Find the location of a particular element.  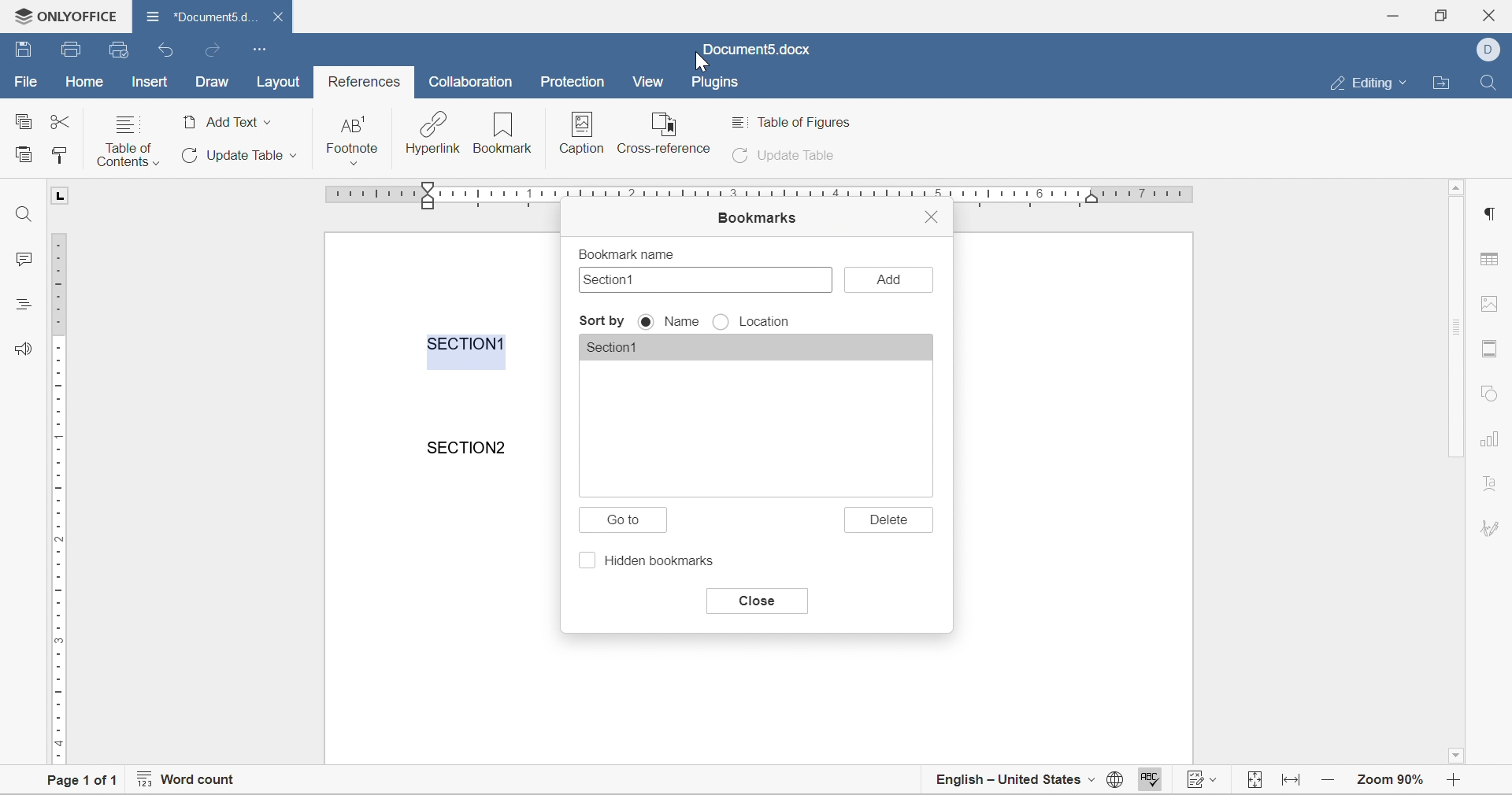

table of figures is located at coordinates (796, 122).